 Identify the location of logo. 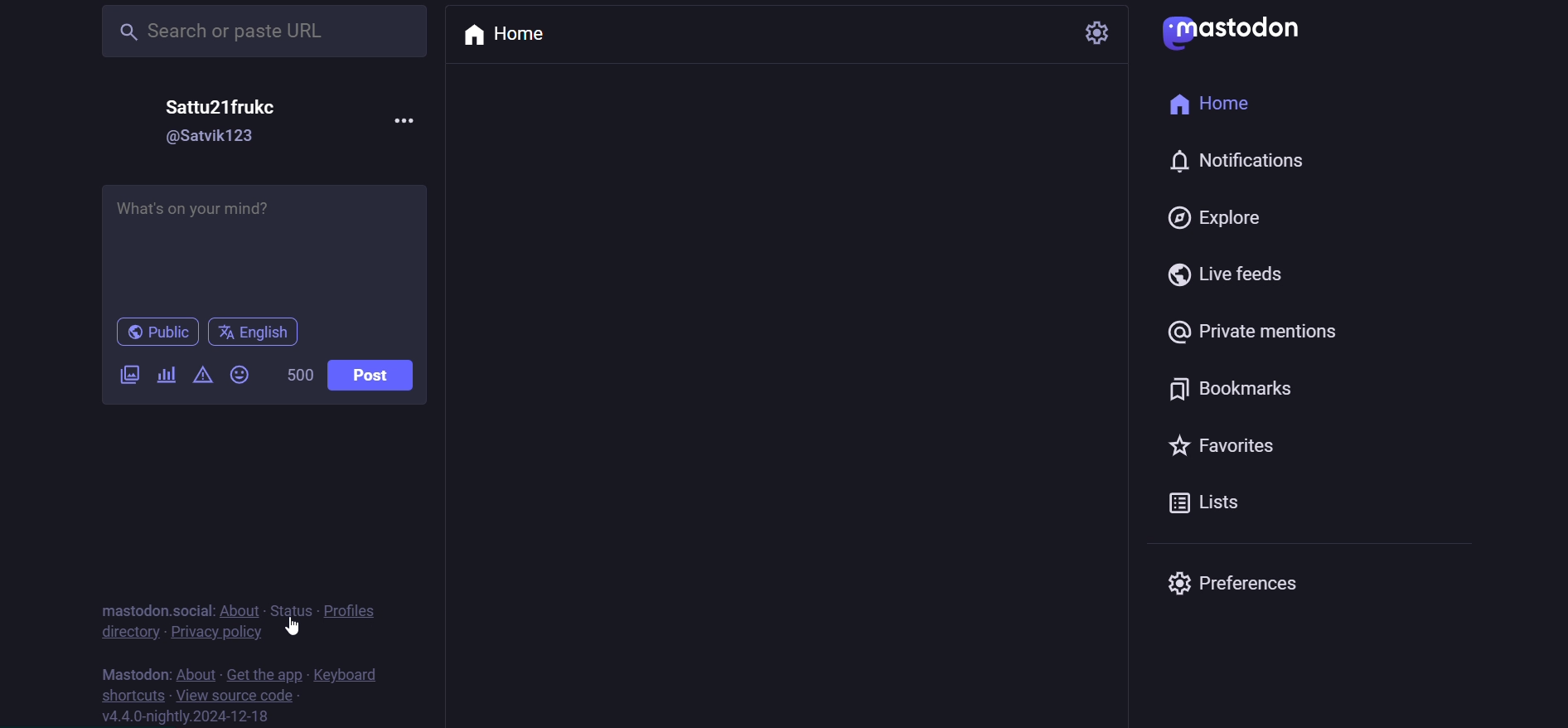
(1233, 33).